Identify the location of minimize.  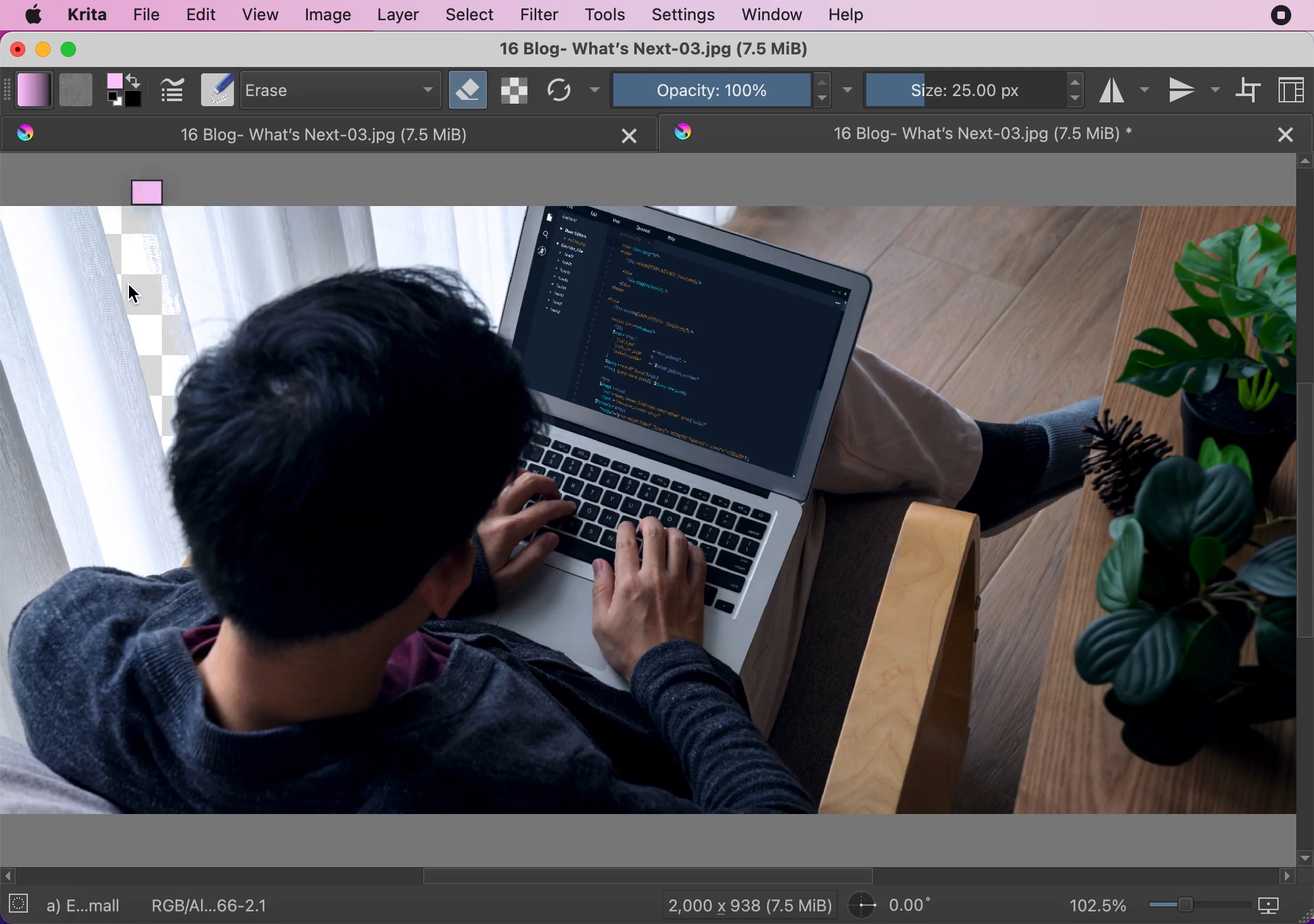
(43, 51).